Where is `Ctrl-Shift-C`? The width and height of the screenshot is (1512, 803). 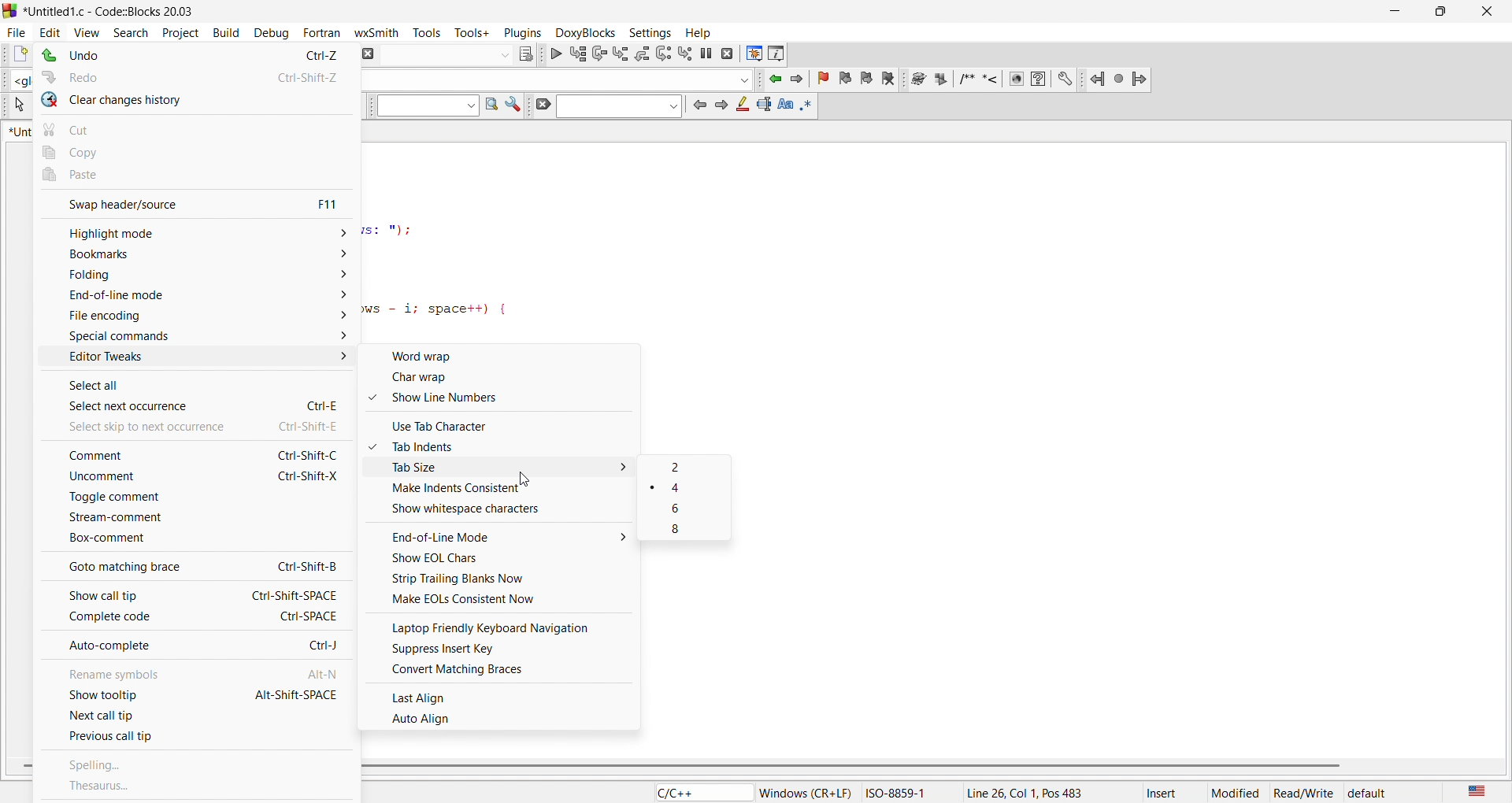
Ctrl-Shift-C is located at coordinates (307, 456).